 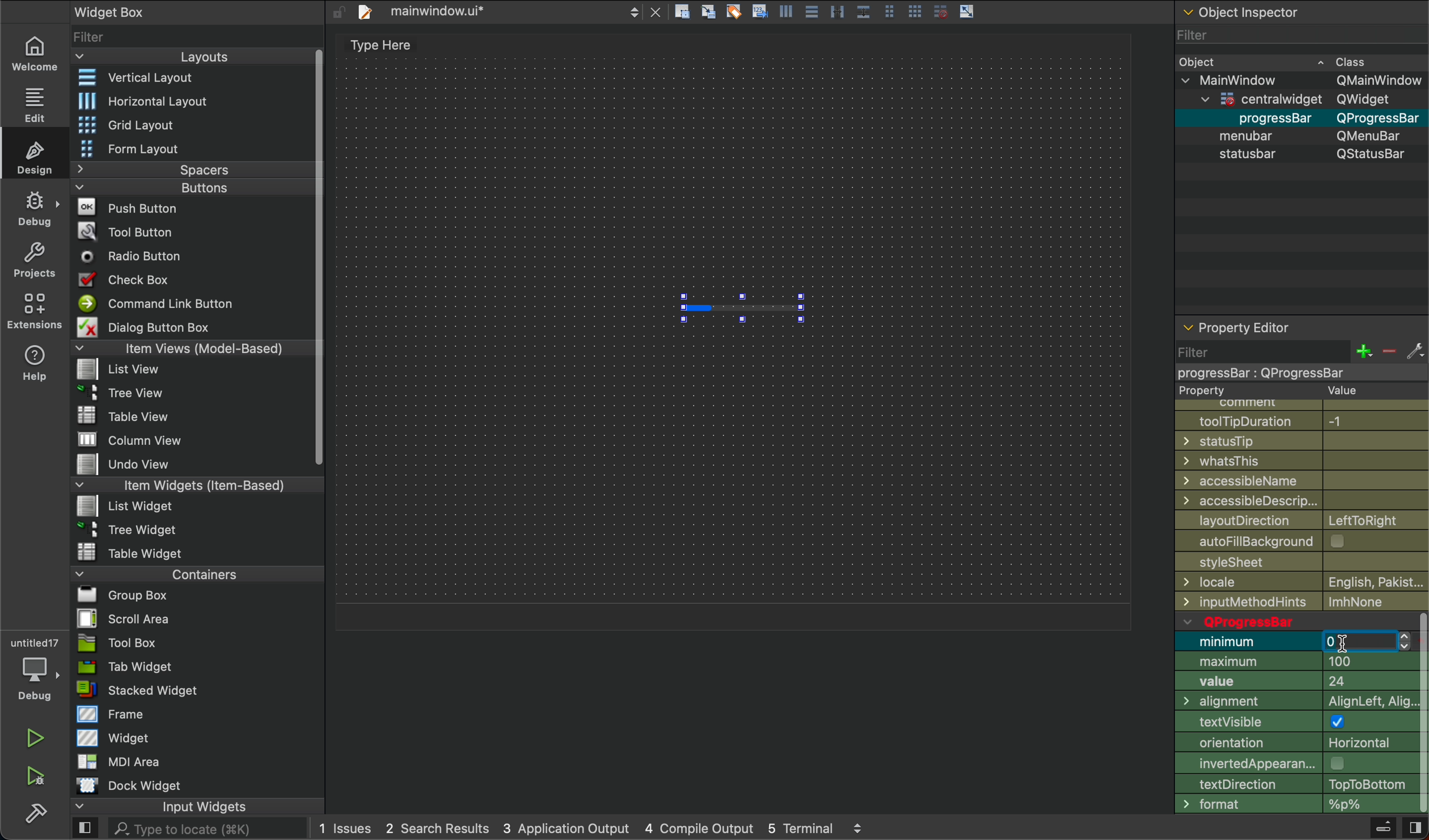 What do you see at coordinates (184, 101) in the screenshot?
I see `Horizontal Layout` at bounding box center [184, 101].